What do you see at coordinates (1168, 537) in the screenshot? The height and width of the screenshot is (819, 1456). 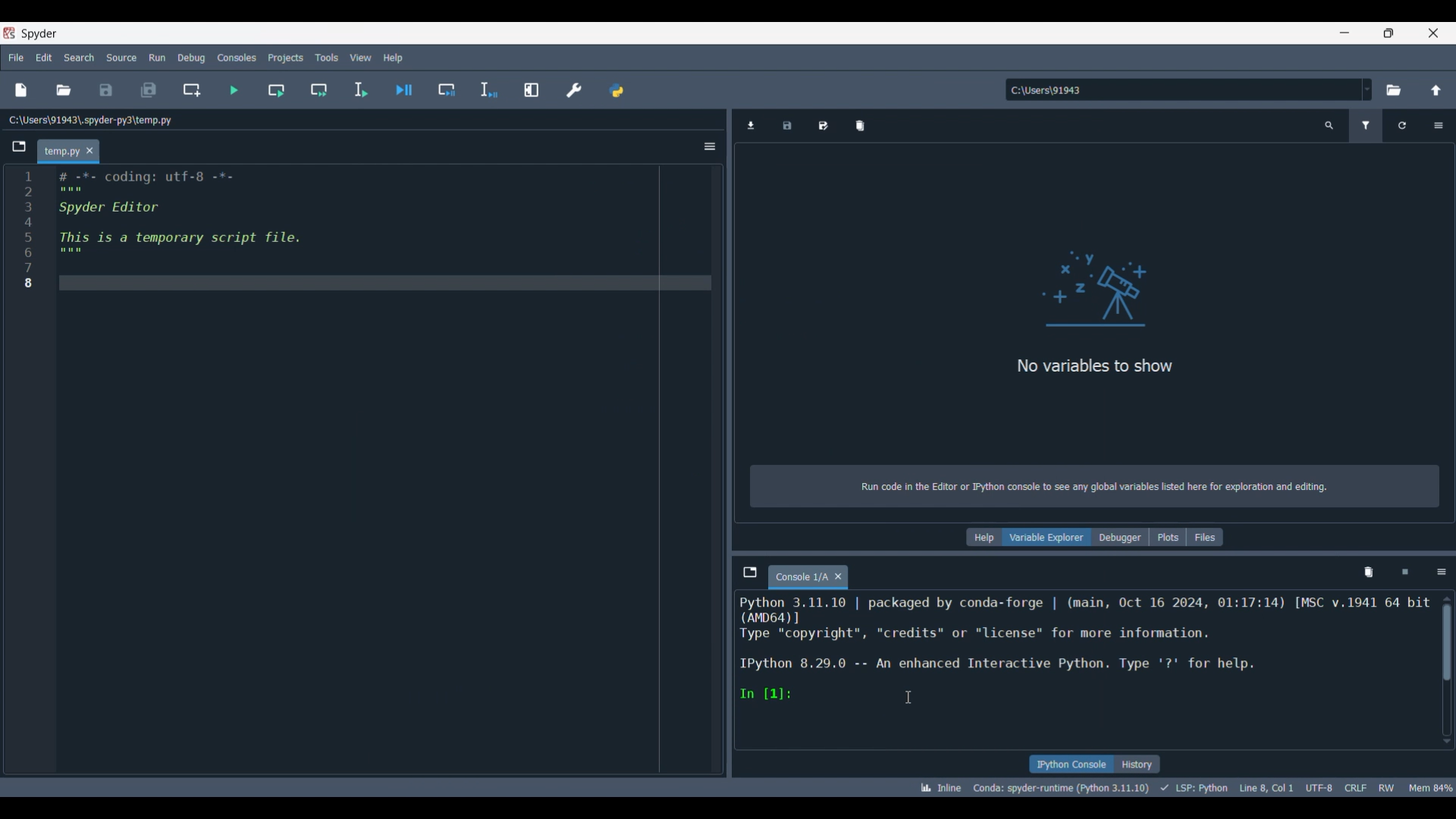 I see `Plots` at bounding box center [1168, 537].